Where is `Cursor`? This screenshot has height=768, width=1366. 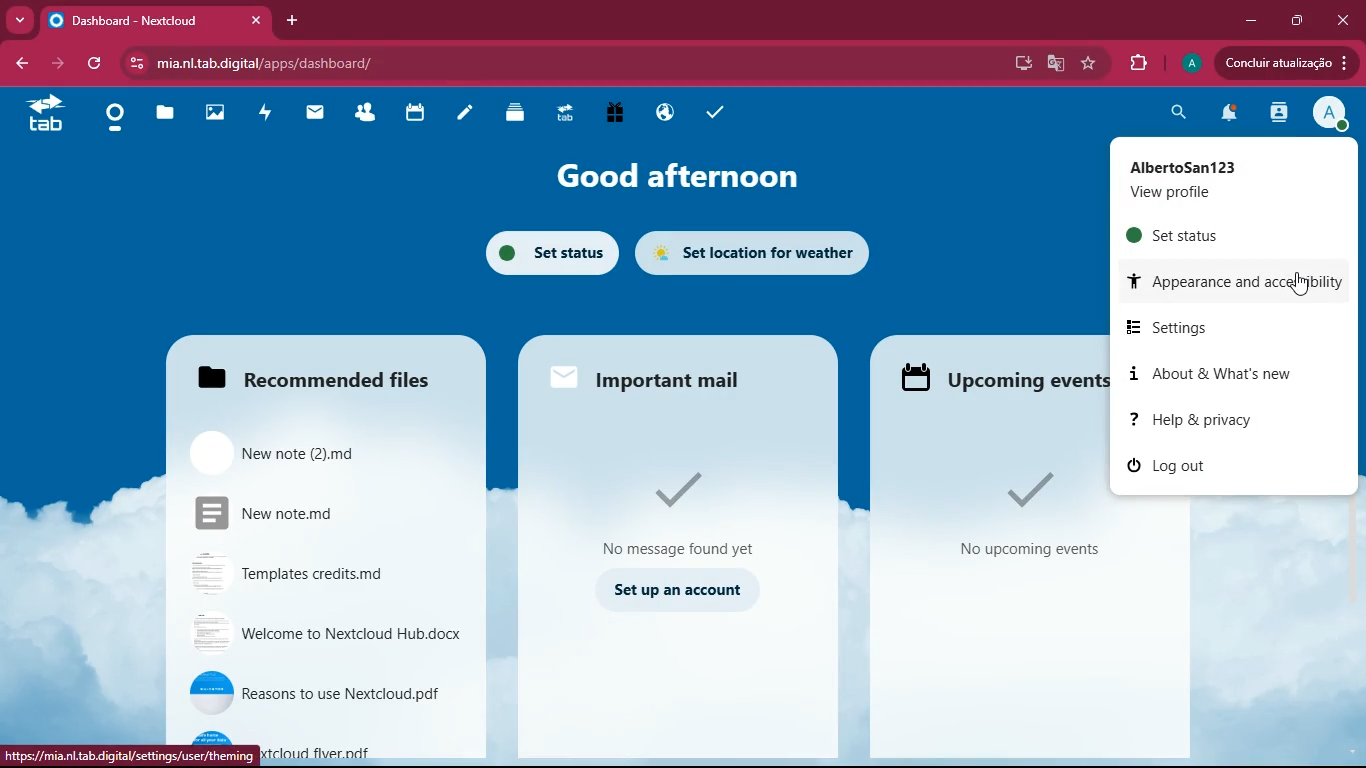
Cursor is located at coordinates (1298, 282).